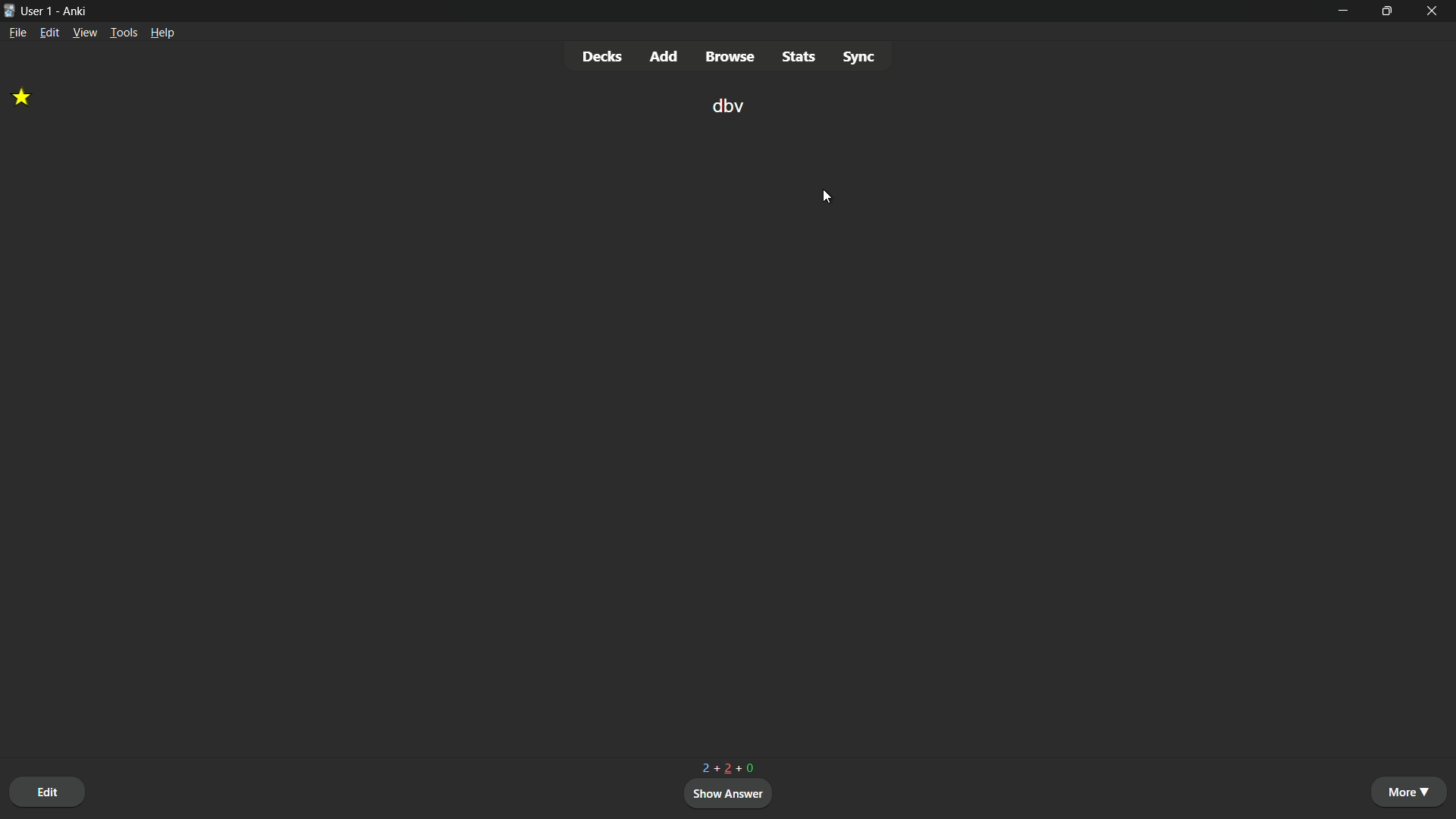 The width and height of the screenshot is (1456, 819). What do you see at coordinates (37, 11) in the screenshot?
I see `user 1` at bounding box center [37, 11].